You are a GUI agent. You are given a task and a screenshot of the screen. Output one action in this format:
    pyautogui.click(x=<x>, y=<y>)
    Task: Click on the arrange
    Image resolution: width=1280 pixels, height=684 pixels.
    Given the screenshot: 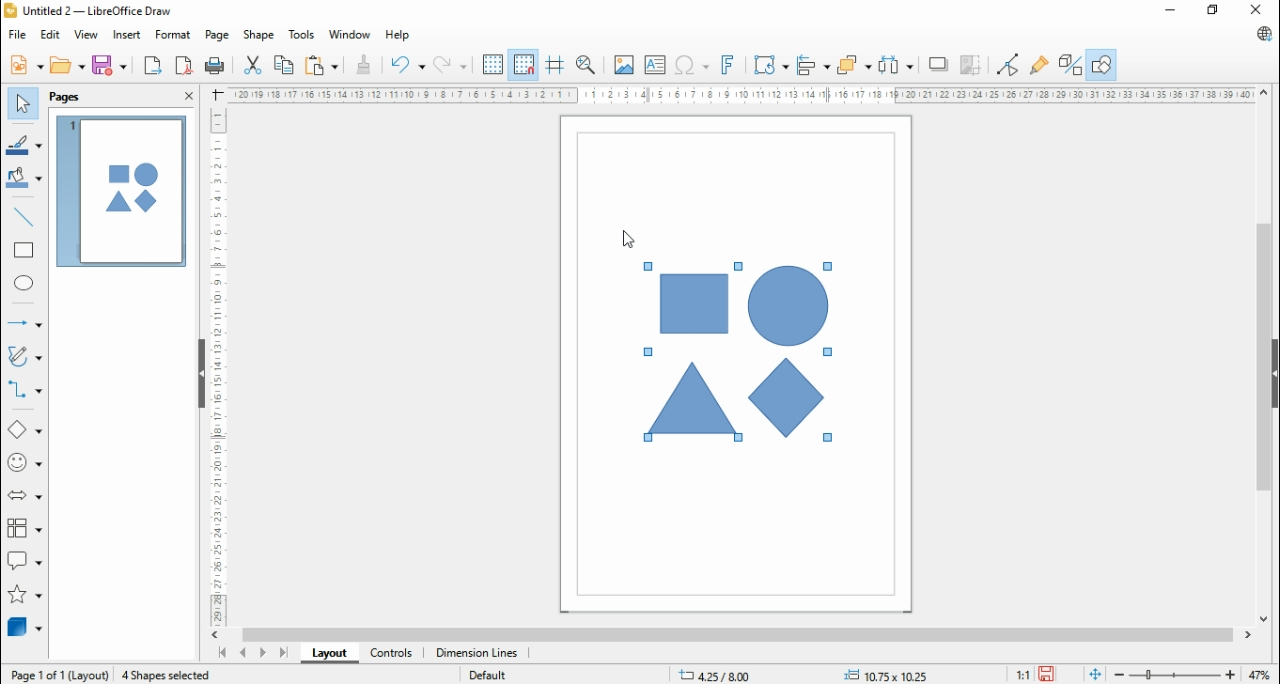 What is the action you would take?
    pyautogui.click(x=854, y=64)
    